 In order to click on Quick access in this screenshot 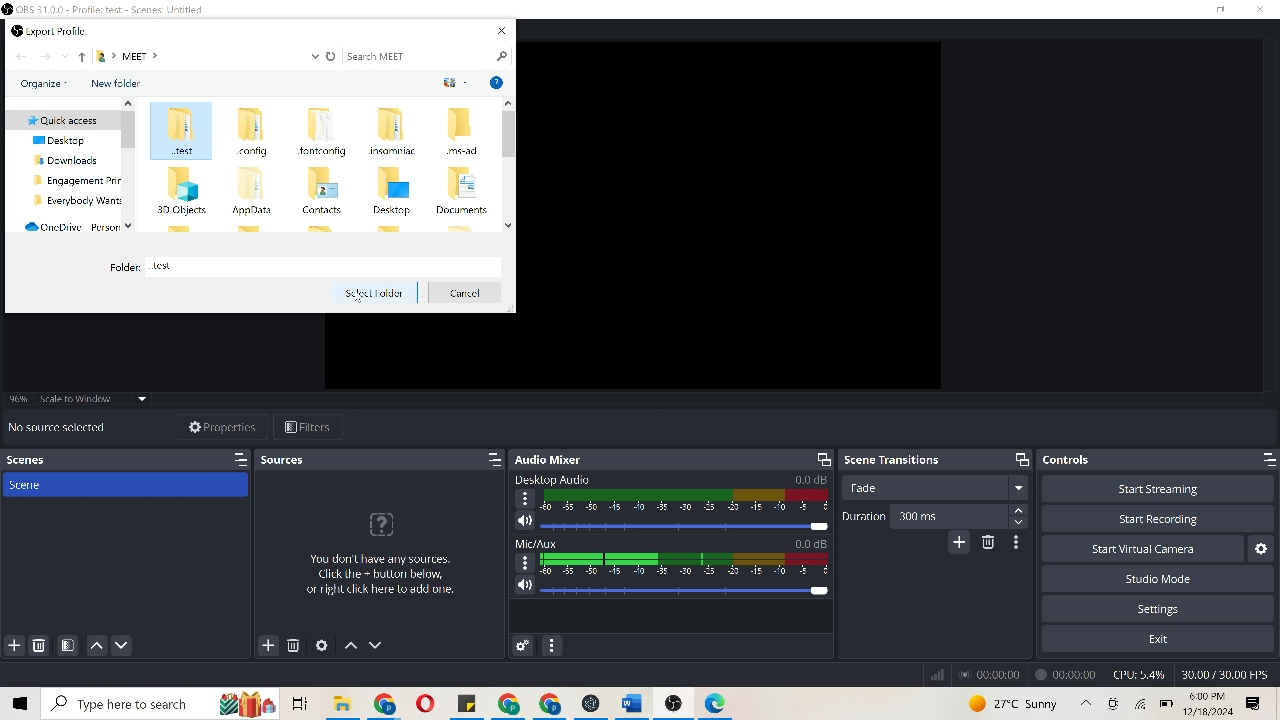, I will do `click(60, 117)`.